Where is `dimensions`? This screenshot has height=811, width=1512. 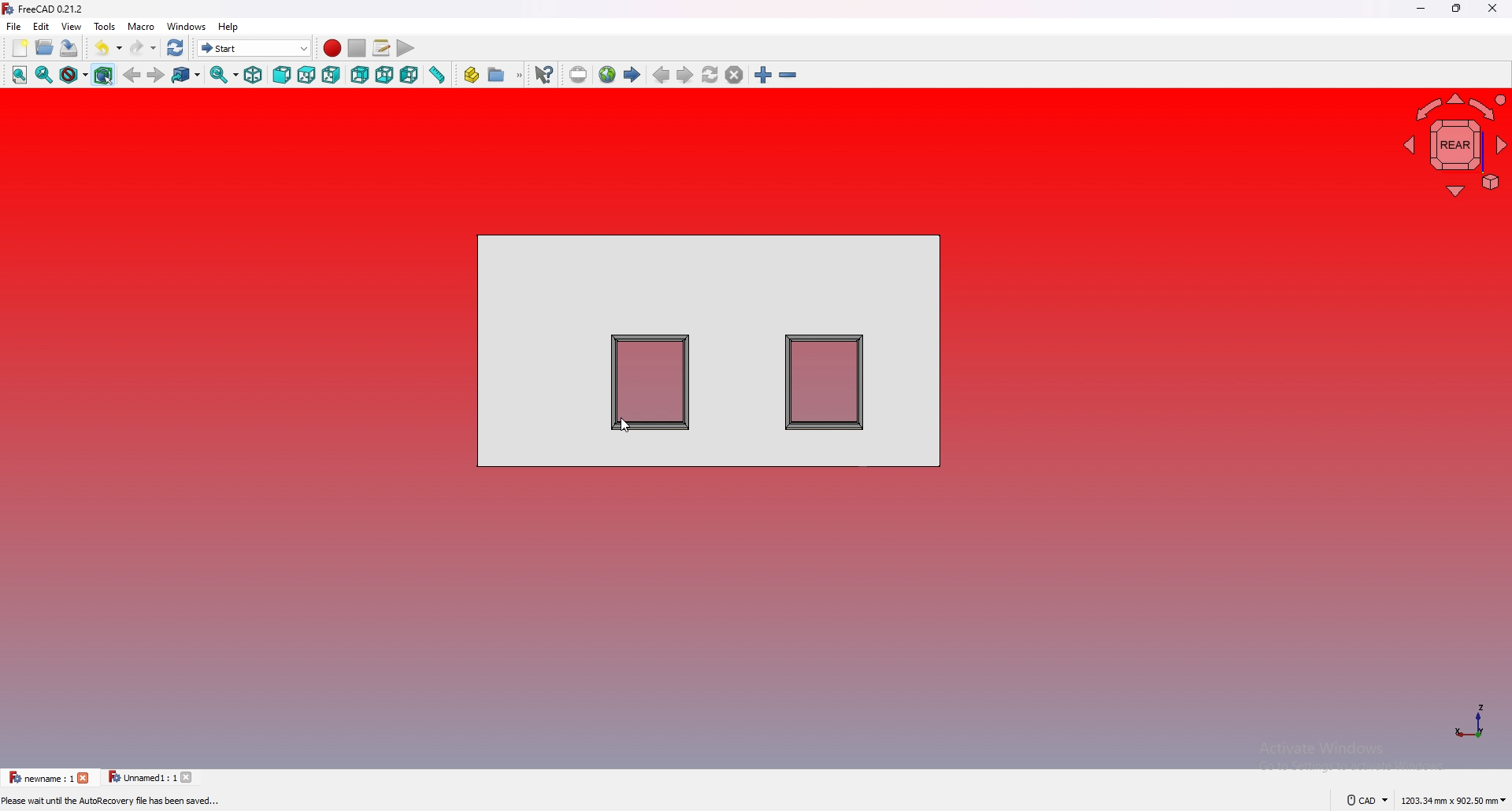
dimensions is located at coordinates (1454, 800).